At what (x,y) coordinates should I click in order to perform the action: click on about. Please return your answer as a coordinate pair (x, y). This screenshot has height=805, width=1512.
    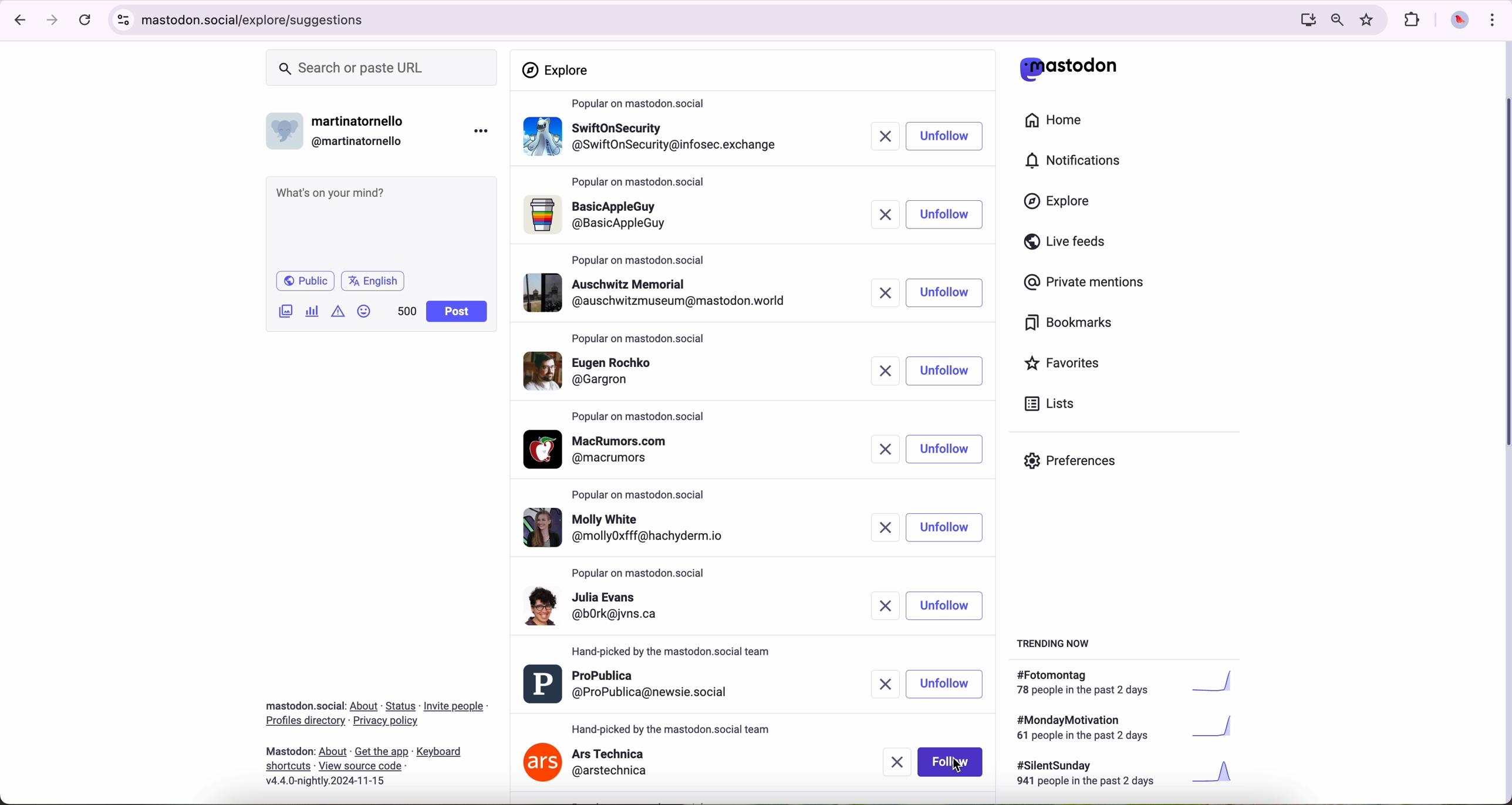
    Looking at the image, I should click on (376, 739).